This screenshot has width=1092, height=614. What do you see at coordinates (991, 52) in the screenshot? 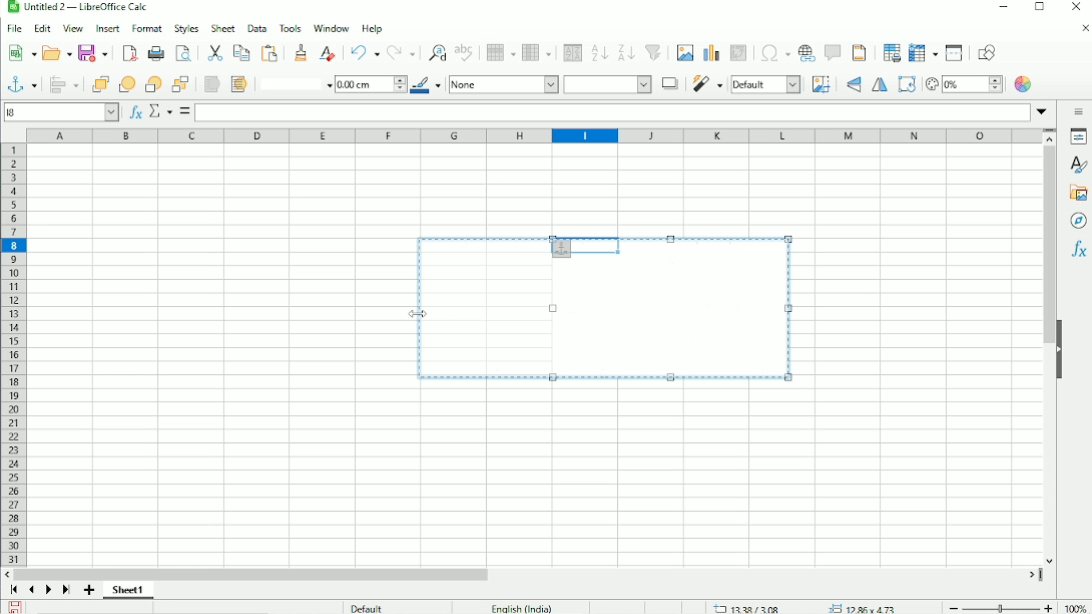
I see `Show Draw functions ` at bounding box center [991, 52].